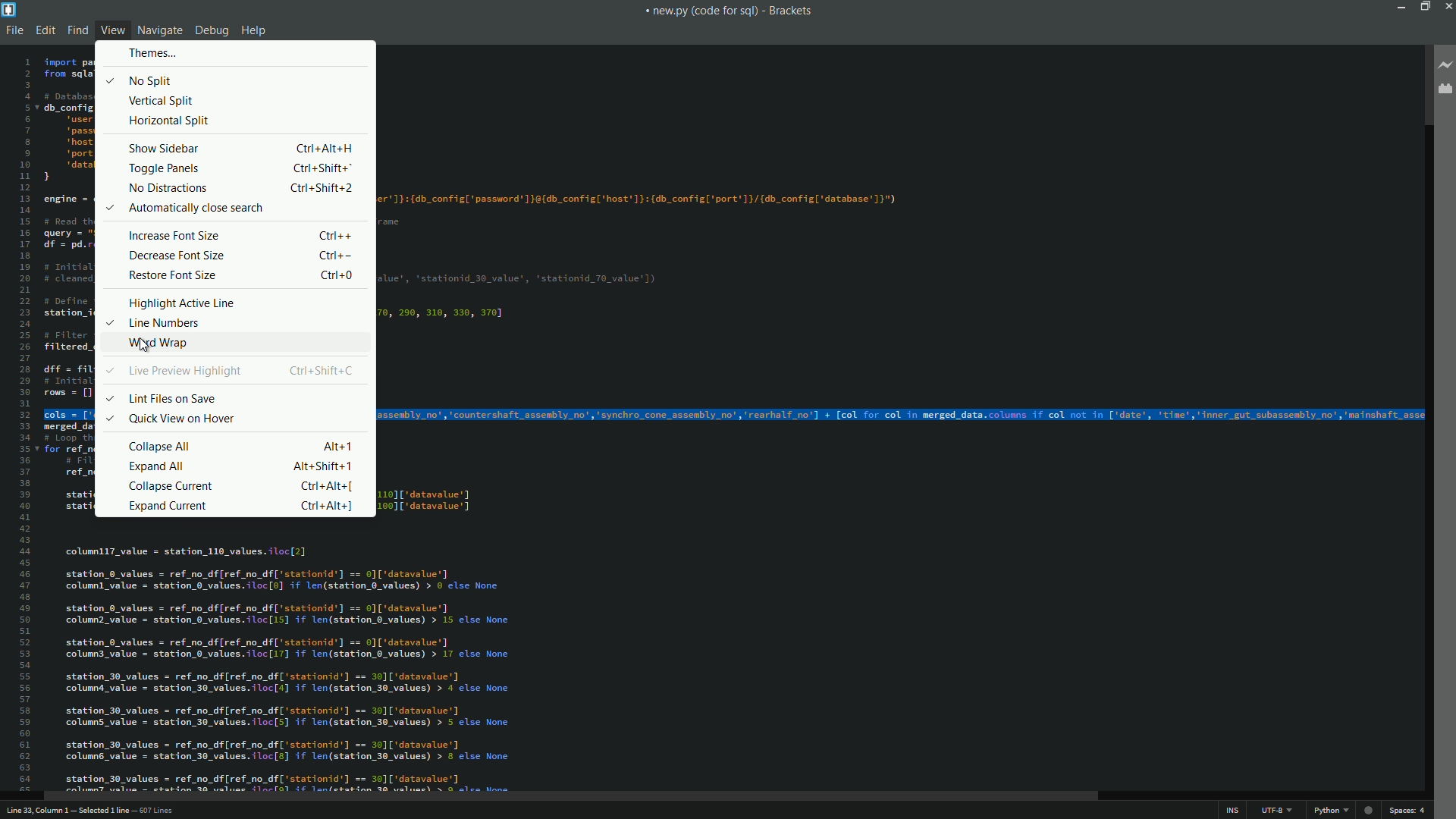 Image resolution: width=1456 pixels, height=819 pixels. What do you see at coordinates (256, 32) in the screenshot?
I see `help menu` at bounding box center [256, 32].